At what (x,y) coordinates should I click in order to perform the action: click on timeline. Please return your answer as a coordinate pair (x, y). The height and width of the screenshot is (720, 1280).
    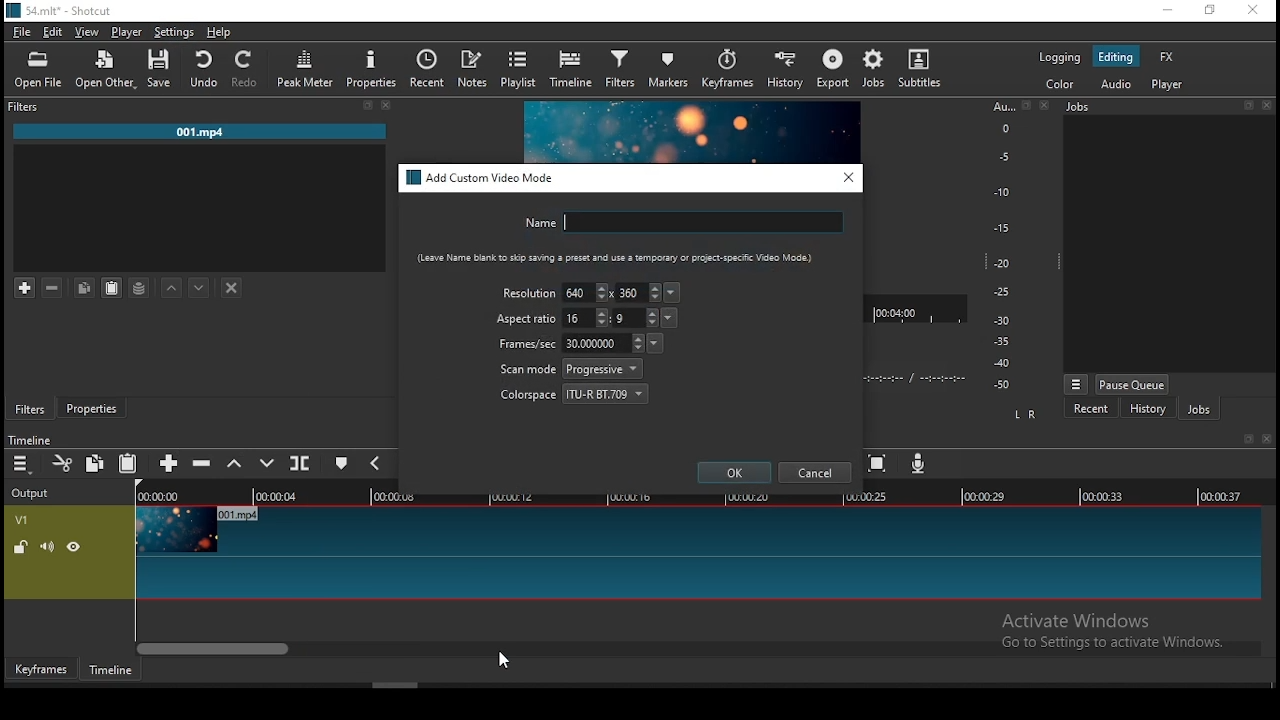
    Looking at the image, I should click on (573, 69).